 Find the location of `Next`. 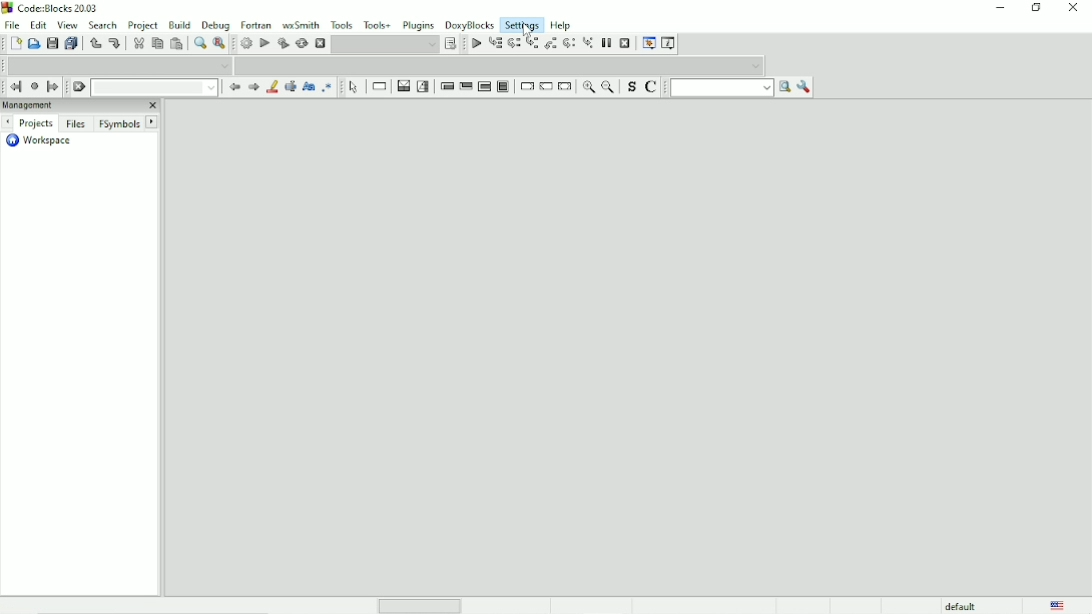

Next is located at coordinates (152, 121).